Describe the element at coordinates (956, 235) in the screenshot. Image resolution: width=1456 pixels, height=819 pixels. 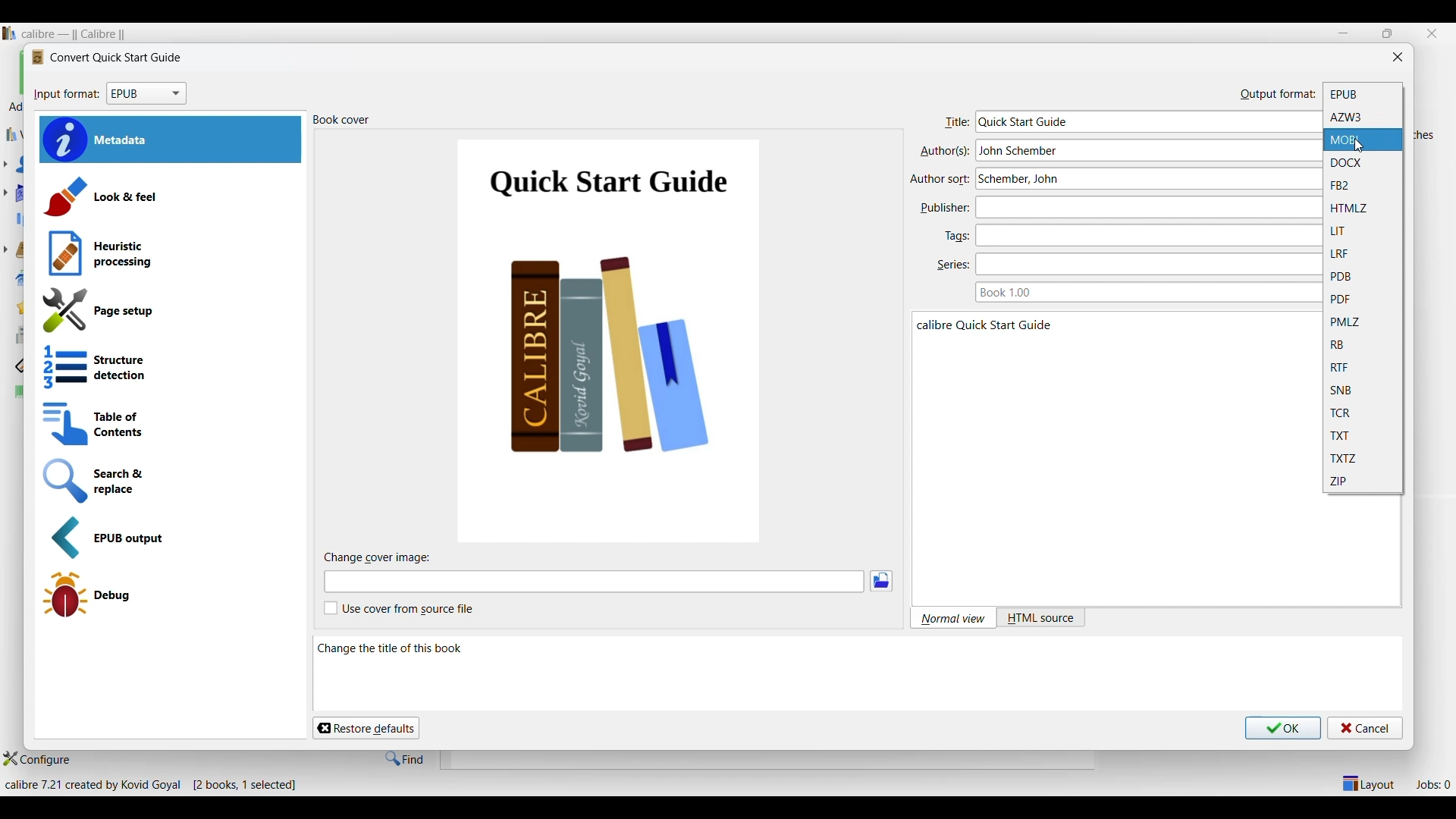
I see `tags` at that location.